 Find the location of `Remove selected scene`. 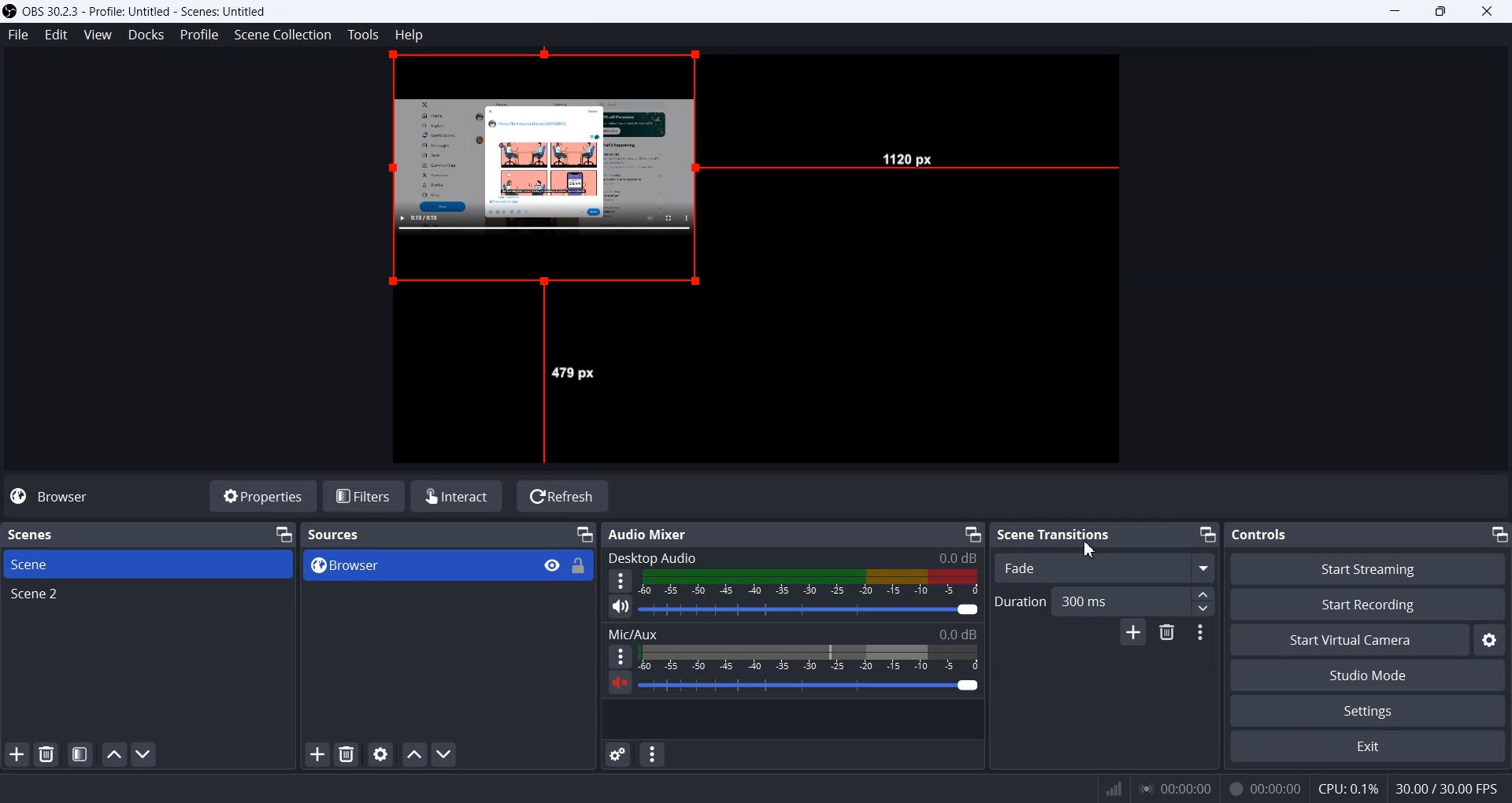

Remove selected scene is located at coordinates (47, 756).